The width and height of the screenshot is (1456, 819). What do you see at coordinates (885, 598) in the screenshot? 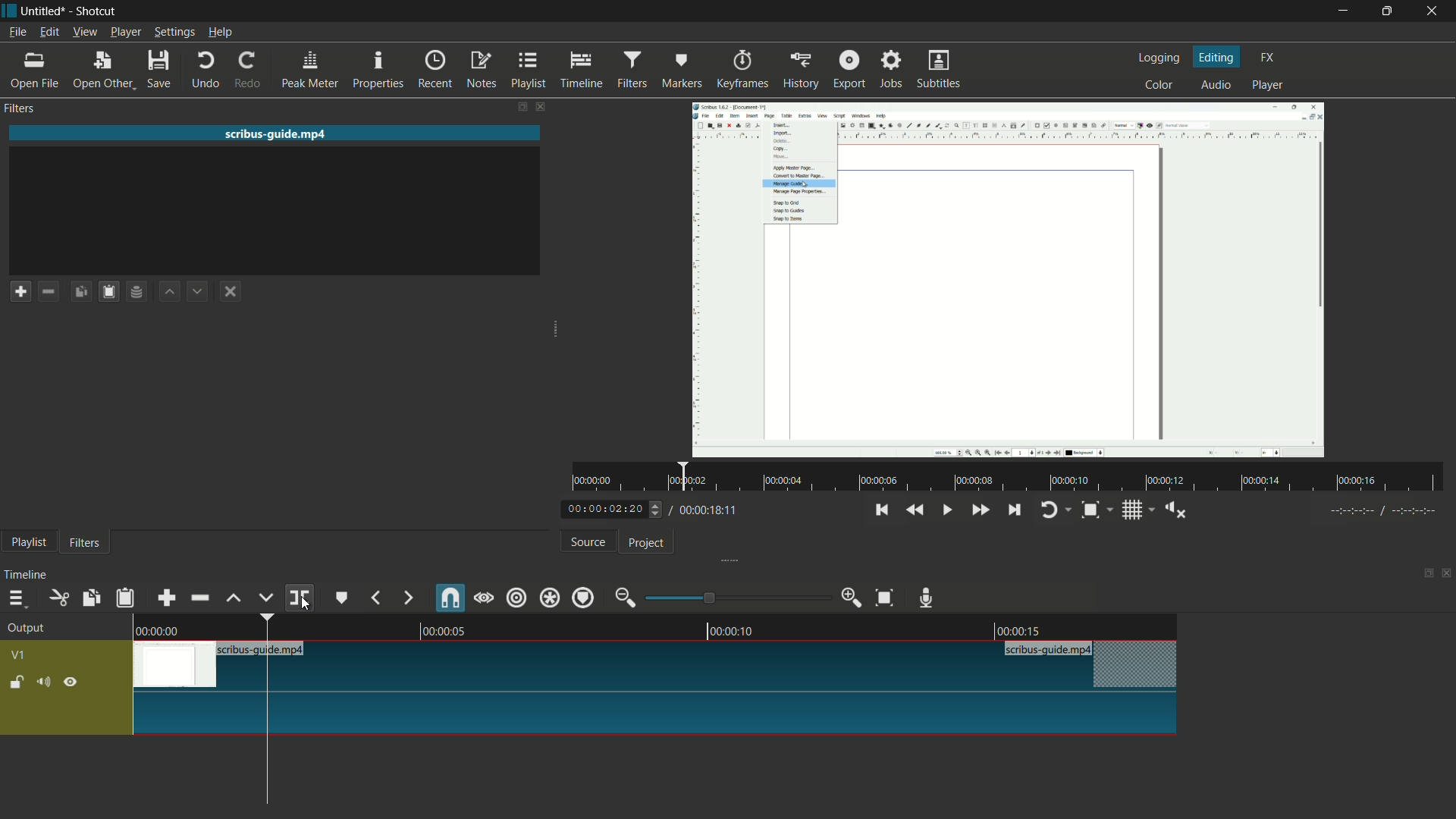
I see `zoom timeline to fit` at bounding box center [885, 598].